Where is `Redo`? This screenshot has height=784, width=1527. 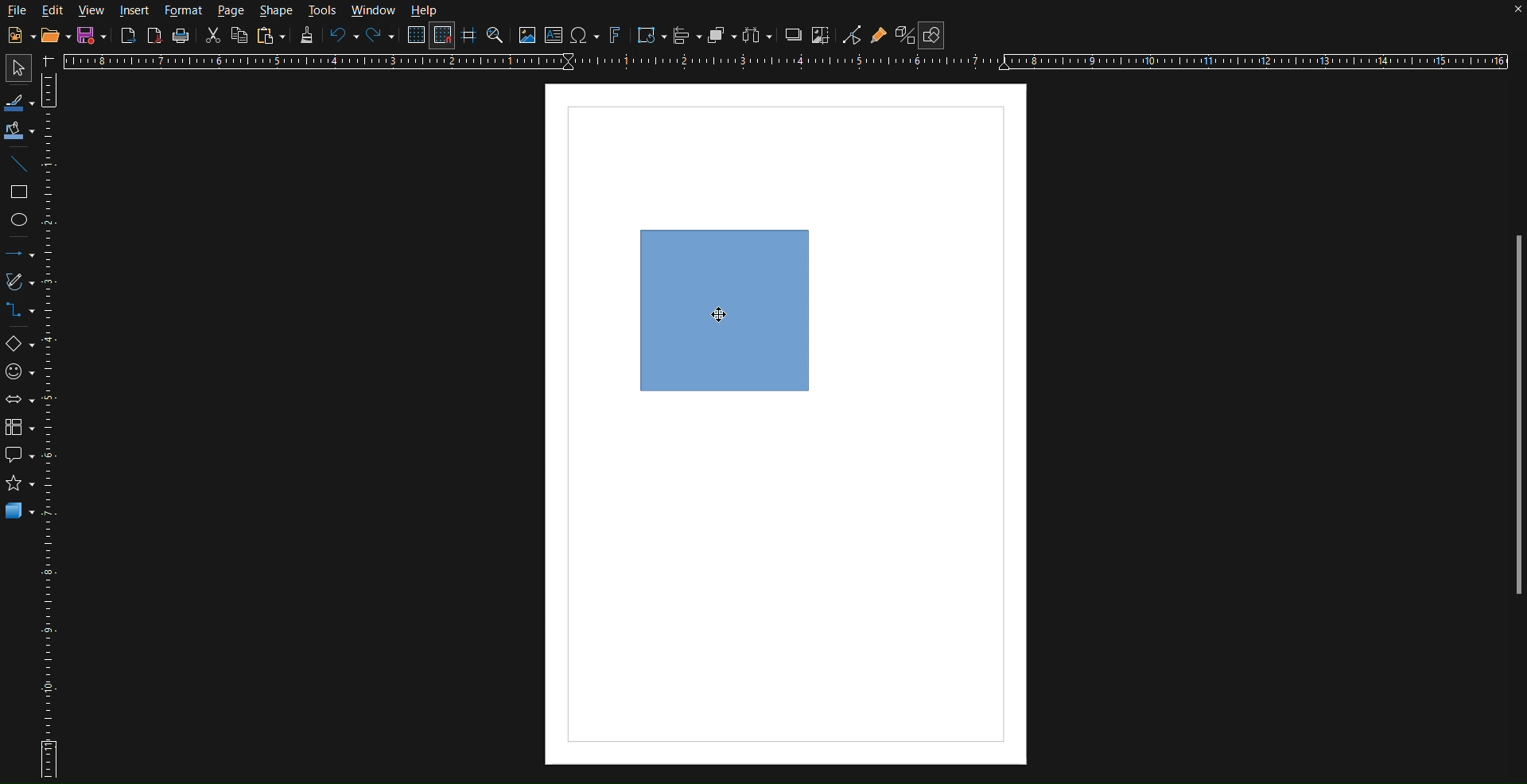
Redo is located at coordinates (380, 37).